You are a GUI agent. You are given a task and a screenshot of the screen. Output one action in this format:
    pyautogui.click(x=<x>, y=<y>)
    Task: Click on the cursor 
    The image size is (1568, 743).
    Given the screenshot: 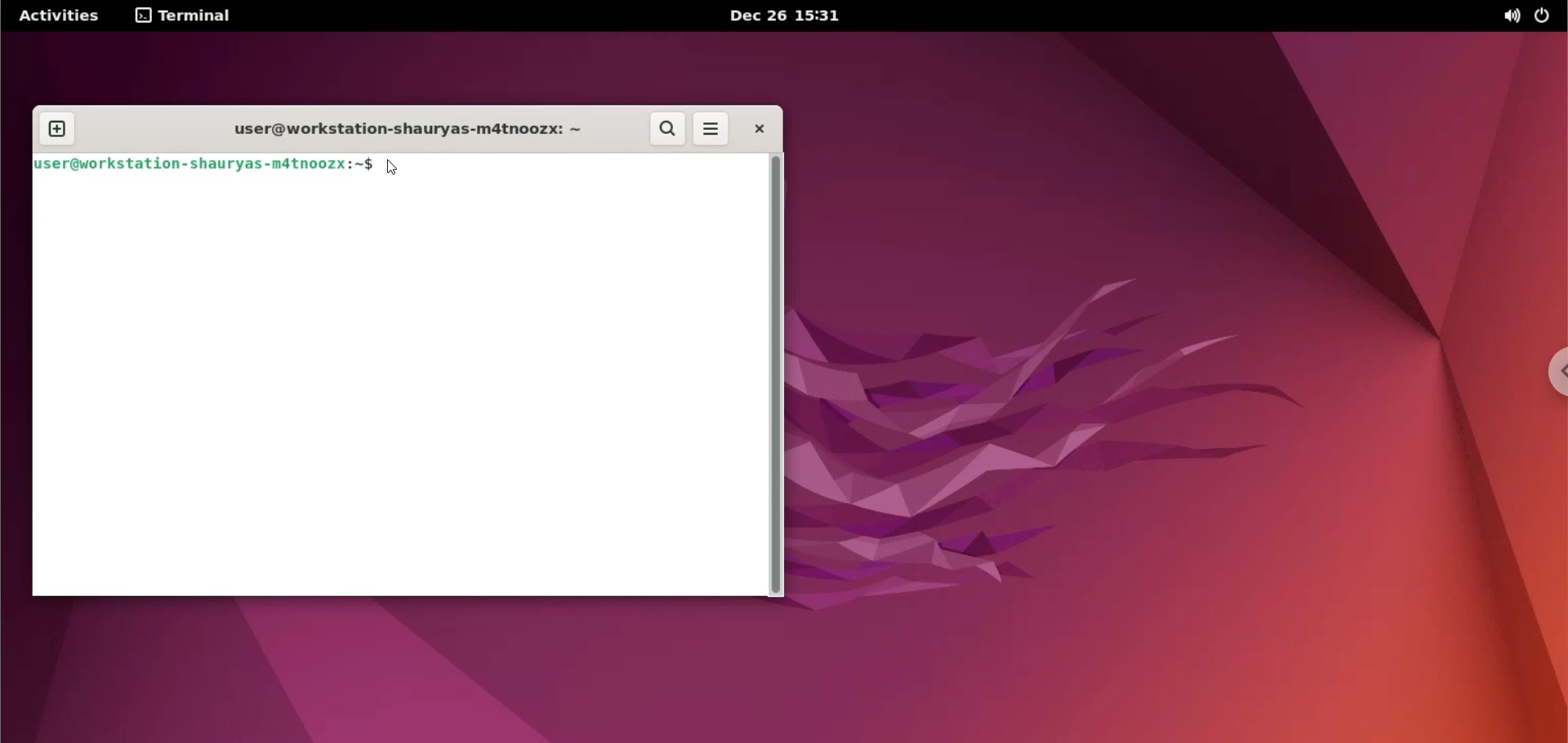 What is the action you would take?
    pyautogui.click(x=394, y=164)
    